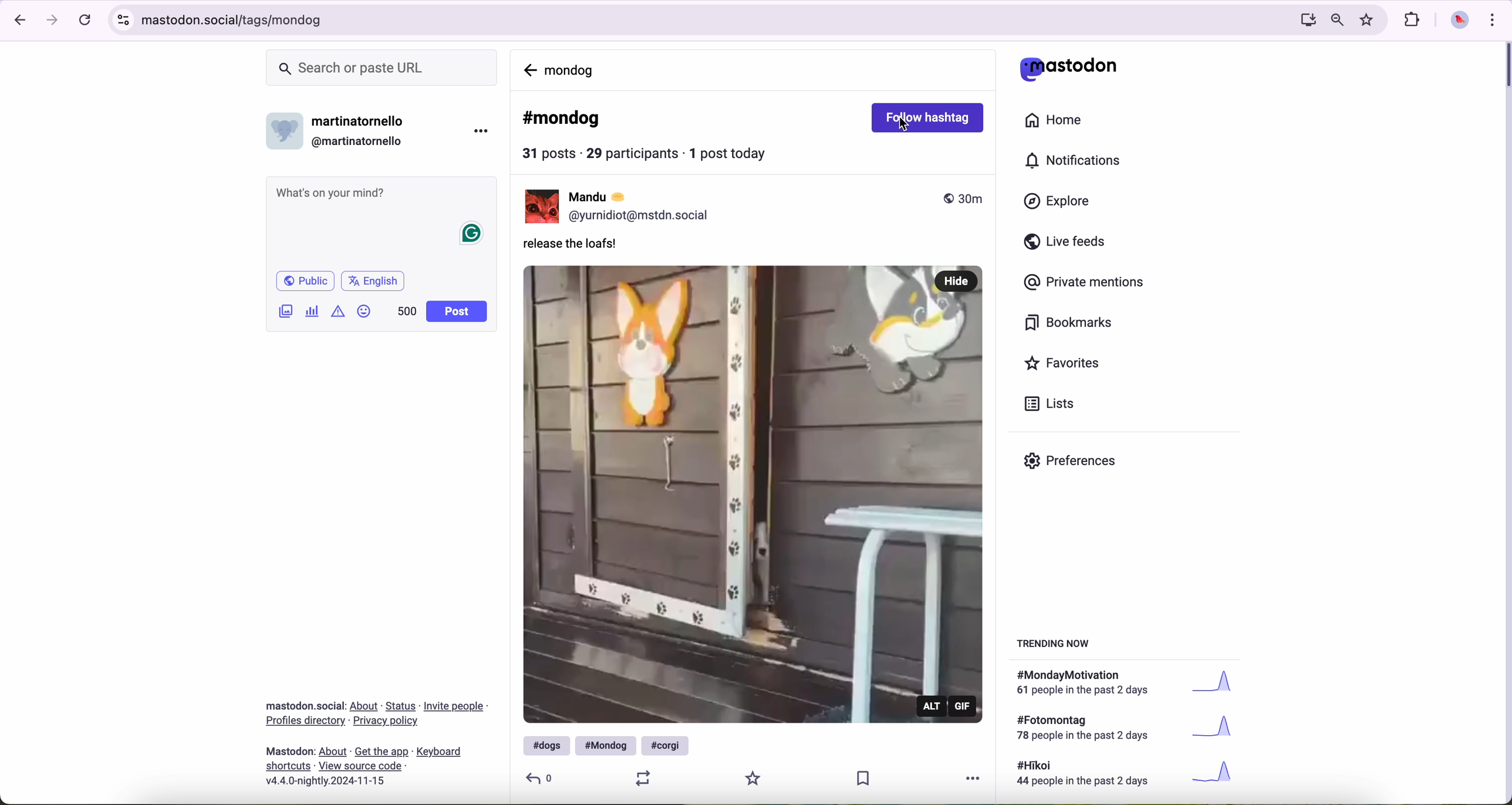 Image resolution: width=1512 pixels, height=805 pixels. I want to click on notifications, so click(1077, 161).